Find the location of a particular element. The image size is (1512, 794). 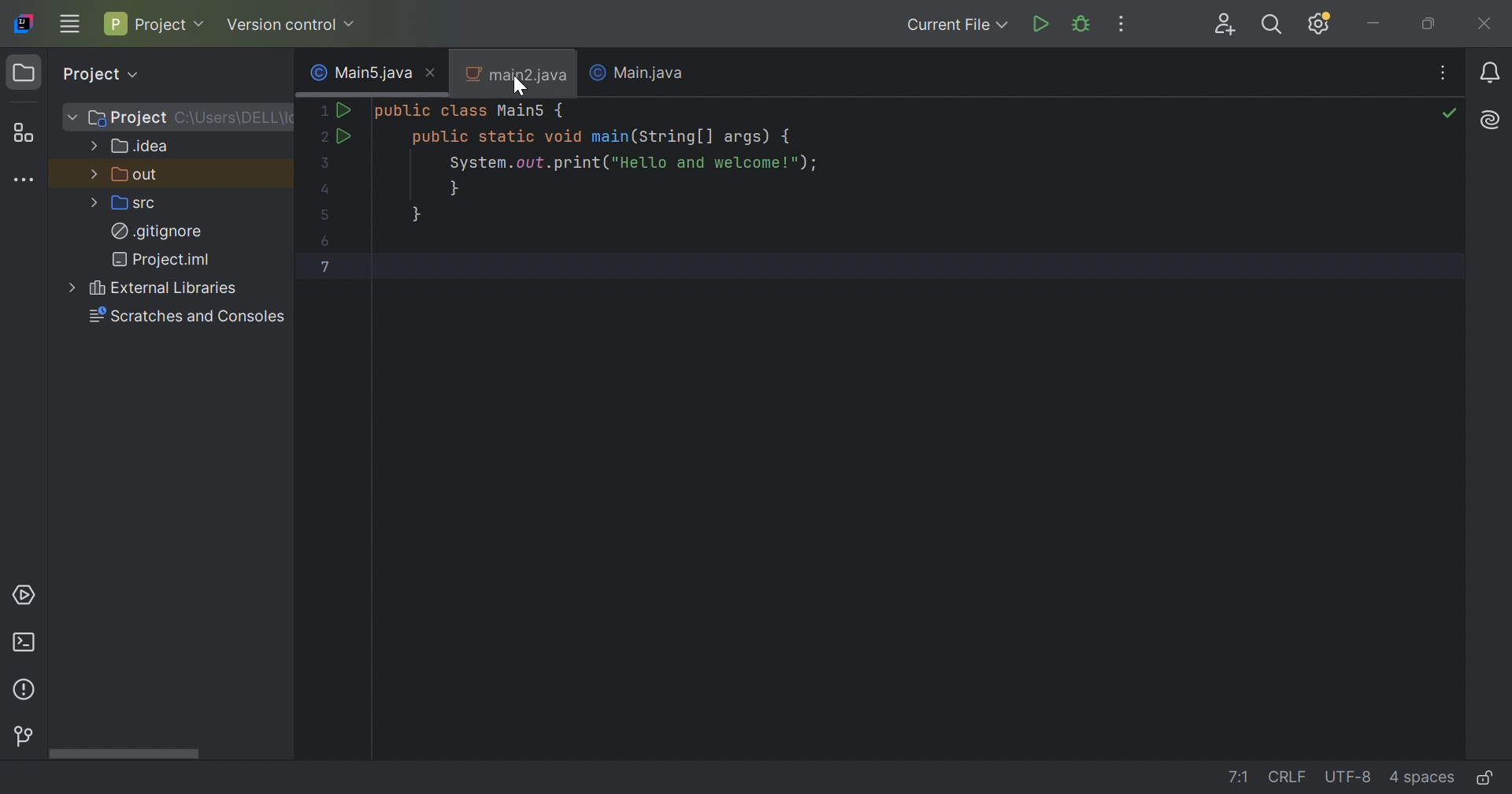

Close is located at coordinates (430, 72).